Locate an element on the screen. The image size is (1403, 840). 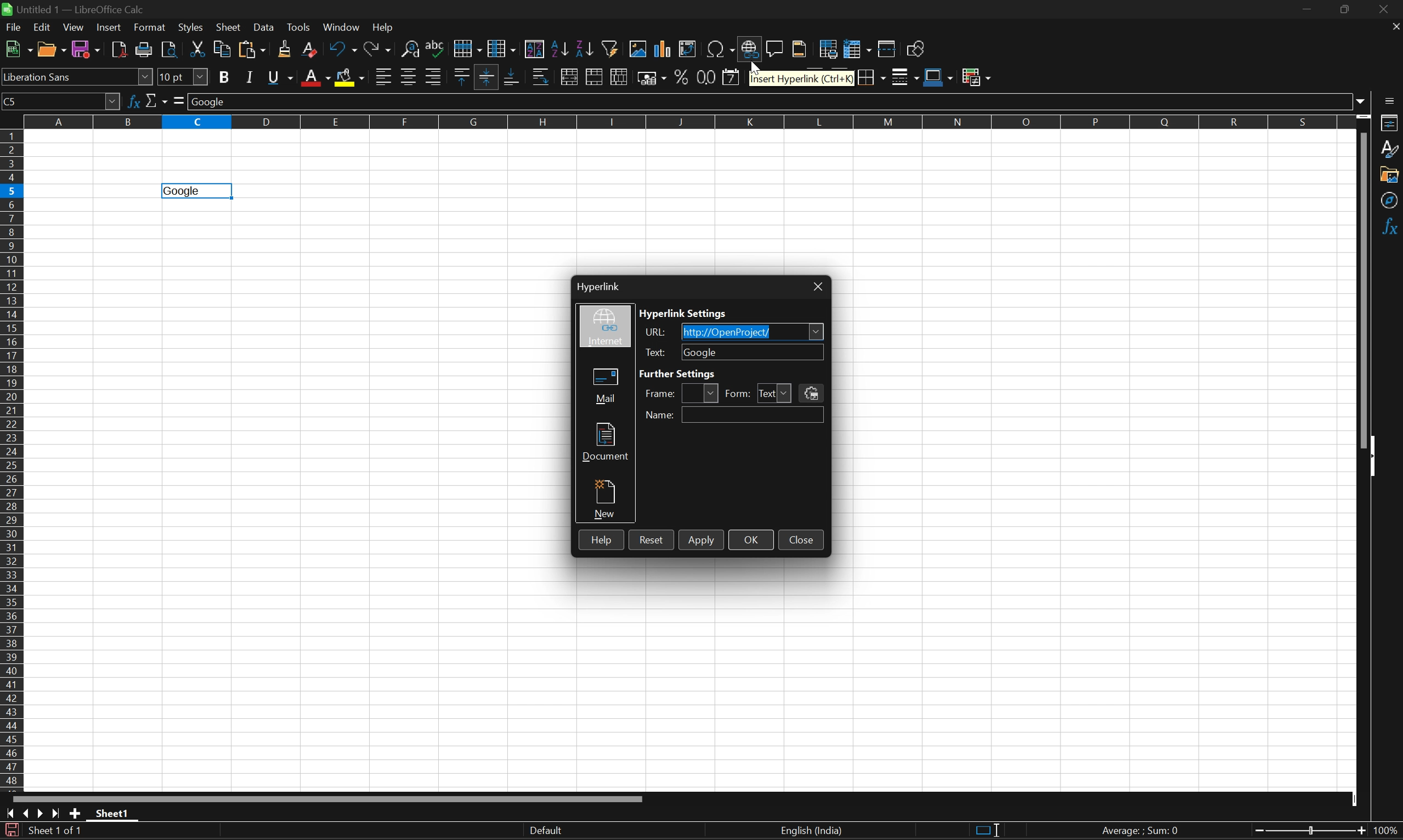
Format as currency is located at coordinates (652, 78).